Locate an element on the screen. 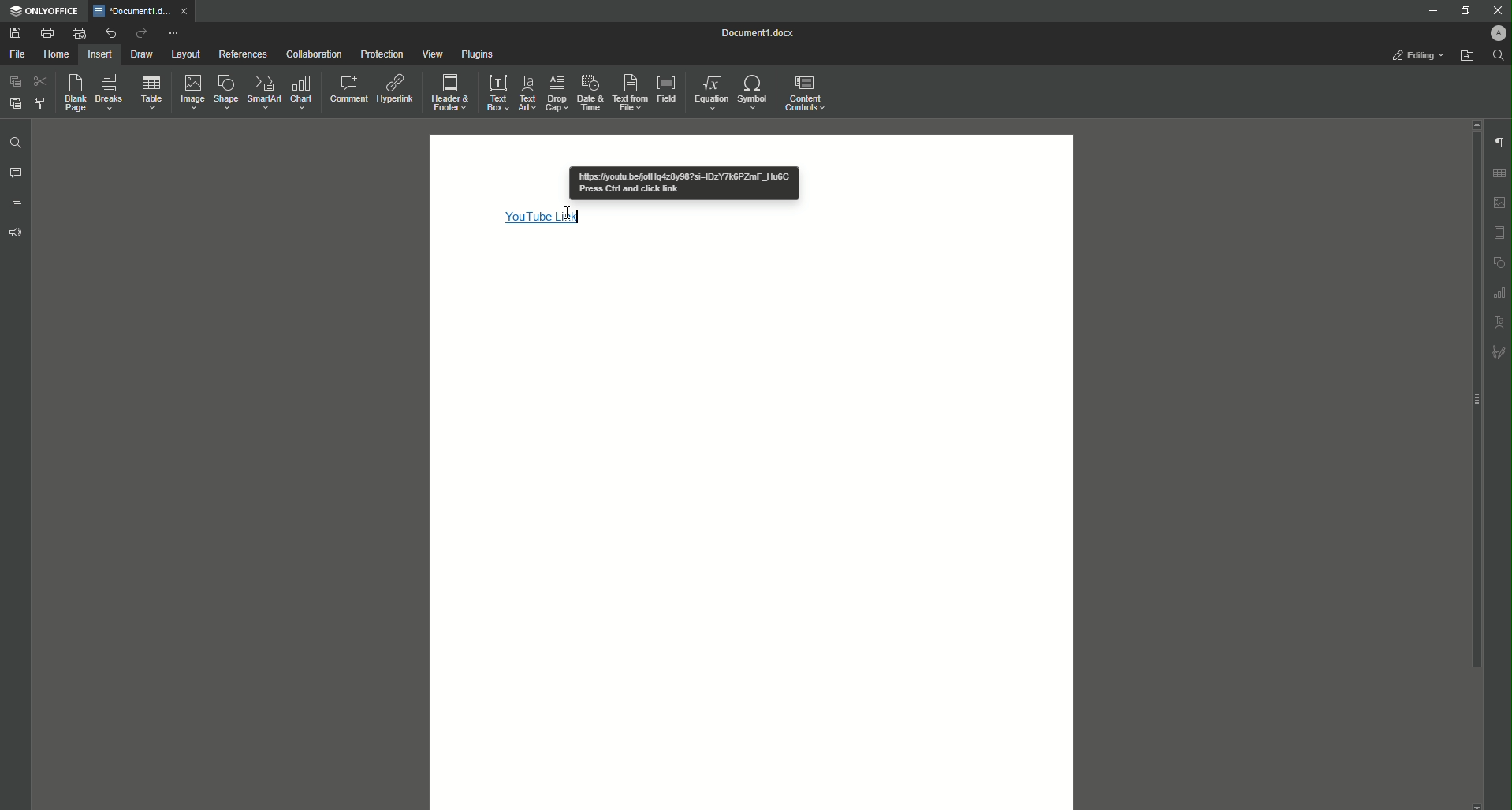 This screenshot has height=810, width=1512. Chart is located at coordinates (300, 93).